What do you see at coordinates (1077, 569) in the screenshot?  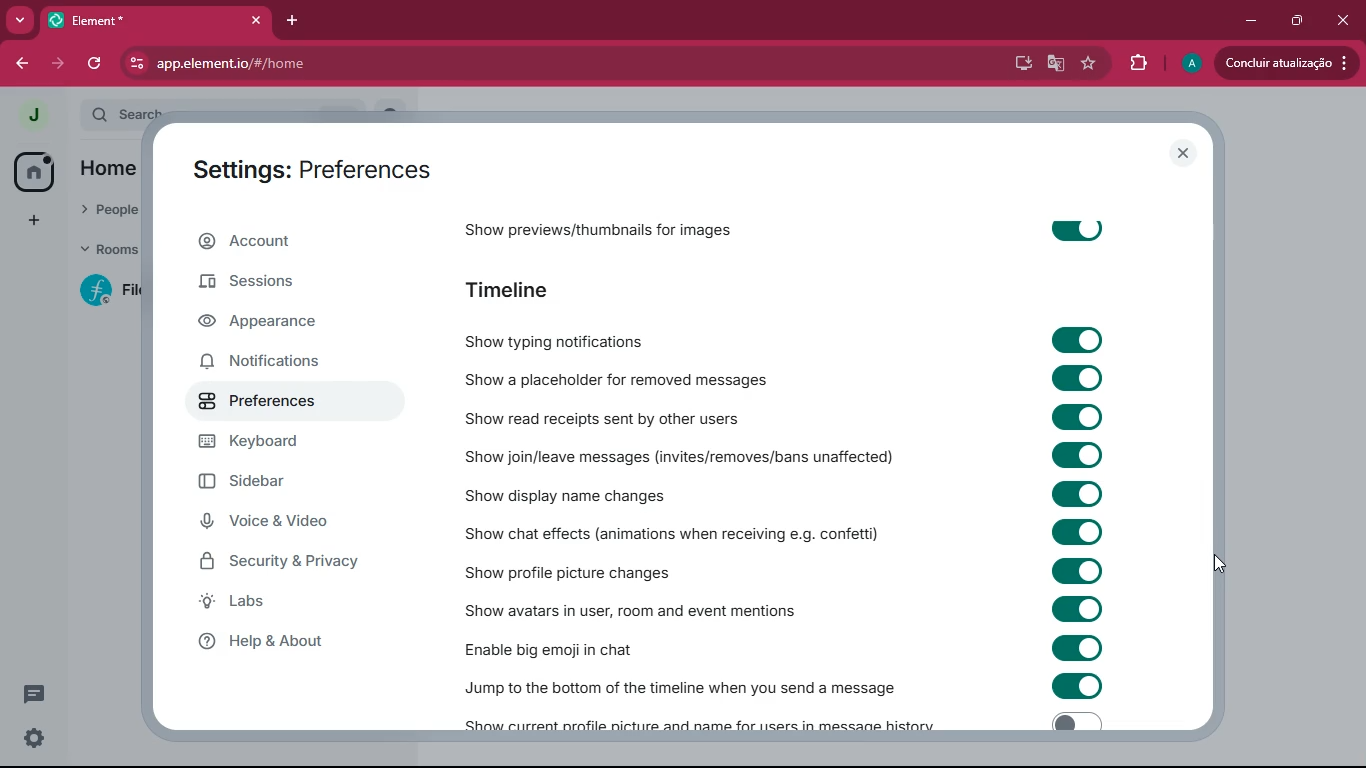 I see `toggle on ` at bounding box center [1077, 569].